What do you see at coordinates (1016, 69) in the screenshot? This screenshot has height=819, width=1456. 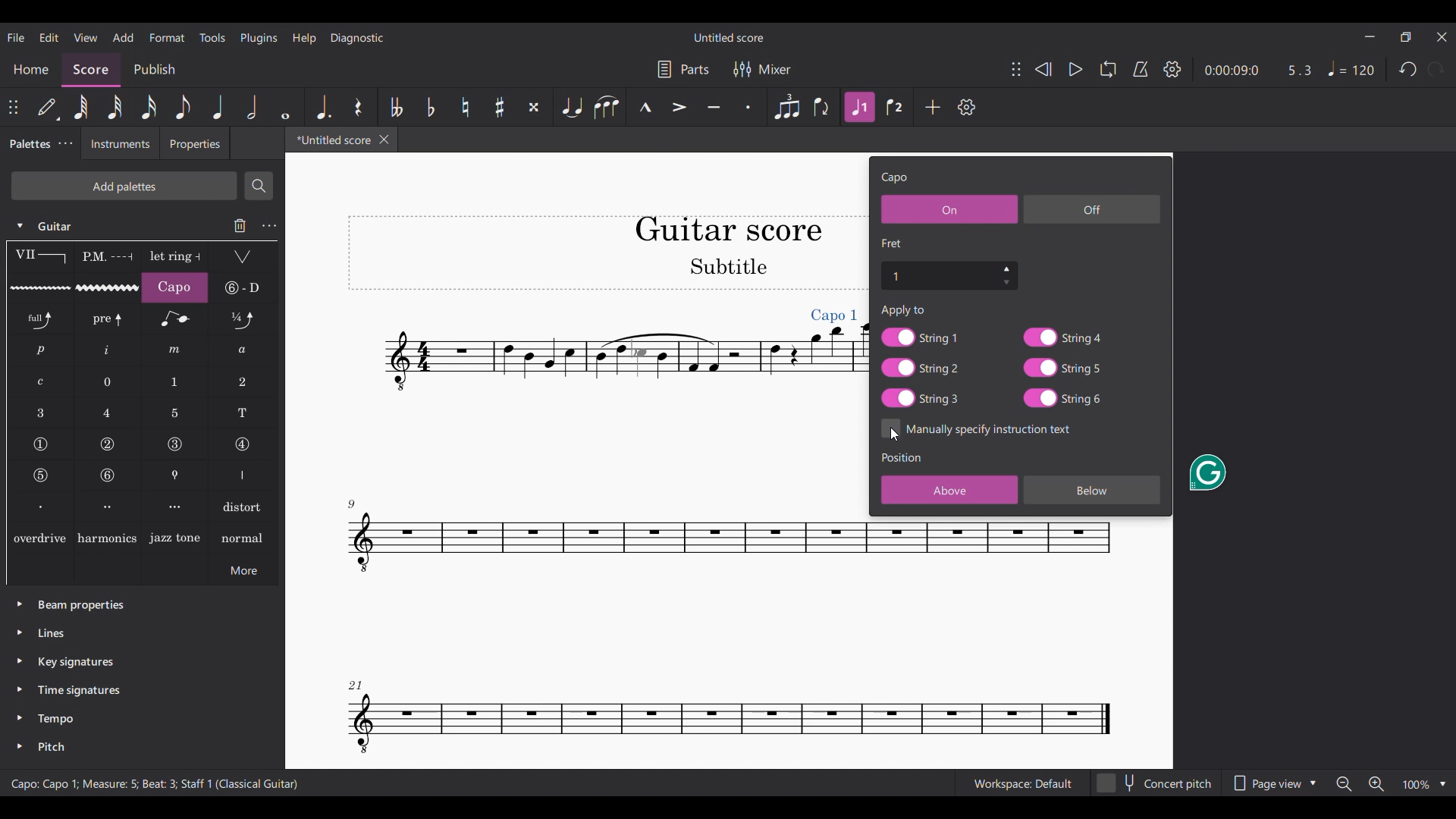 I see `Change position` at bounding box center [1016, 69].